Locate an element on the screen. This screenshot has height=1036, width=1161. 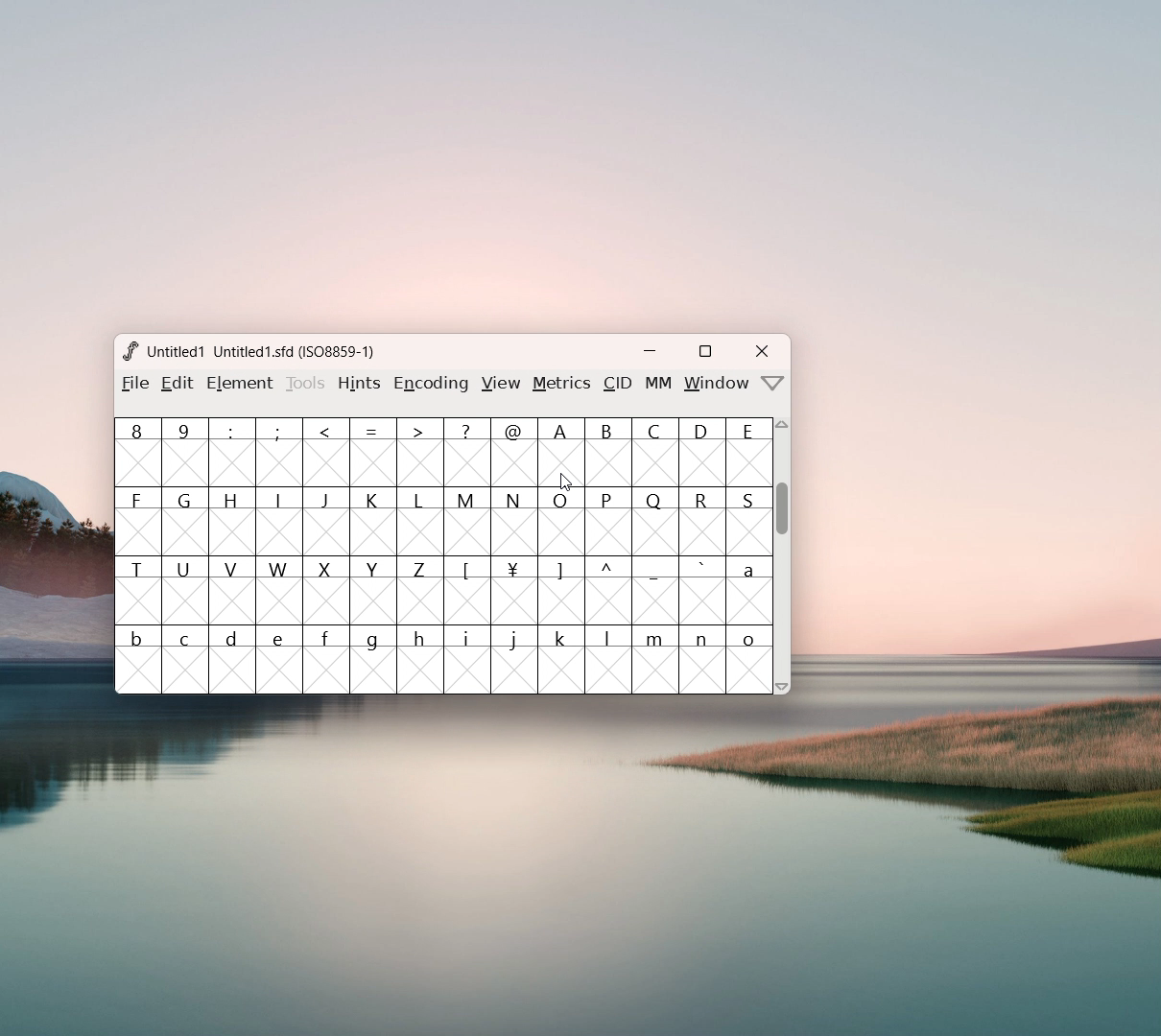
CID is located at coordinates (617, 383).